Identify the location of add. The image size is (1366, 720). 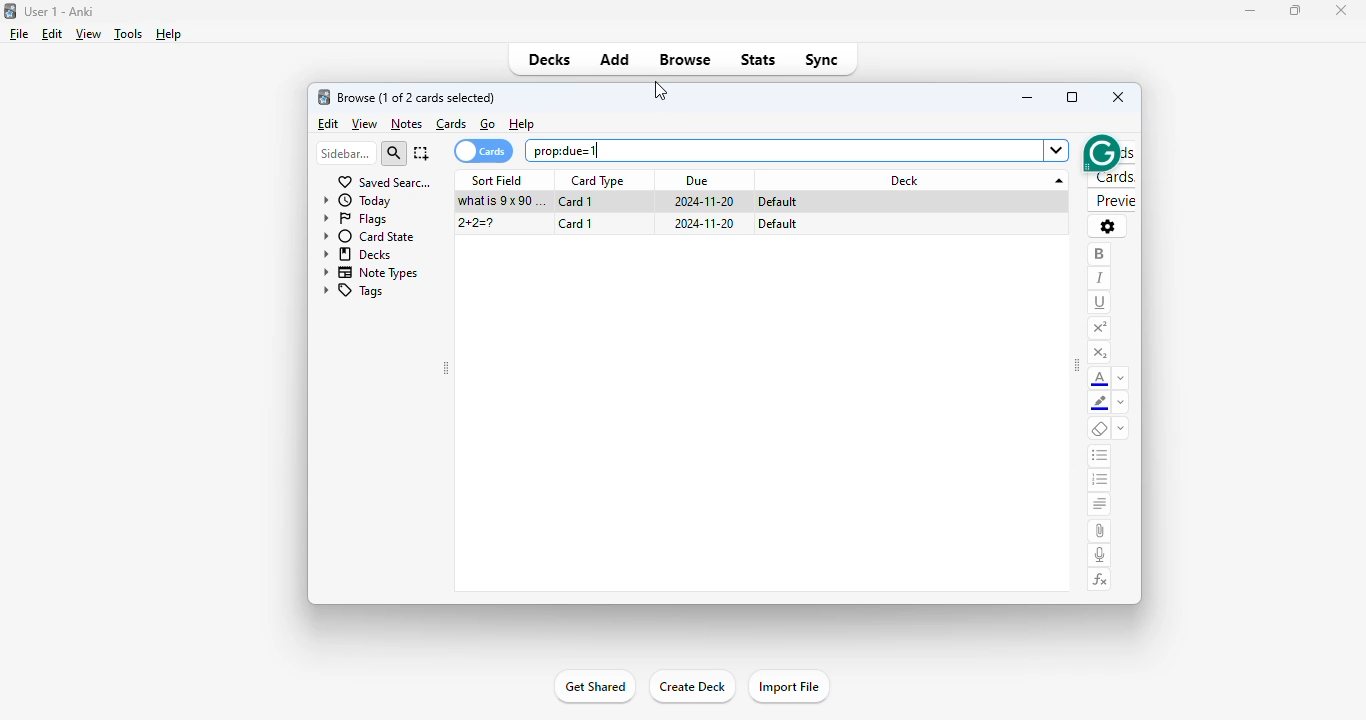
(615, 59).